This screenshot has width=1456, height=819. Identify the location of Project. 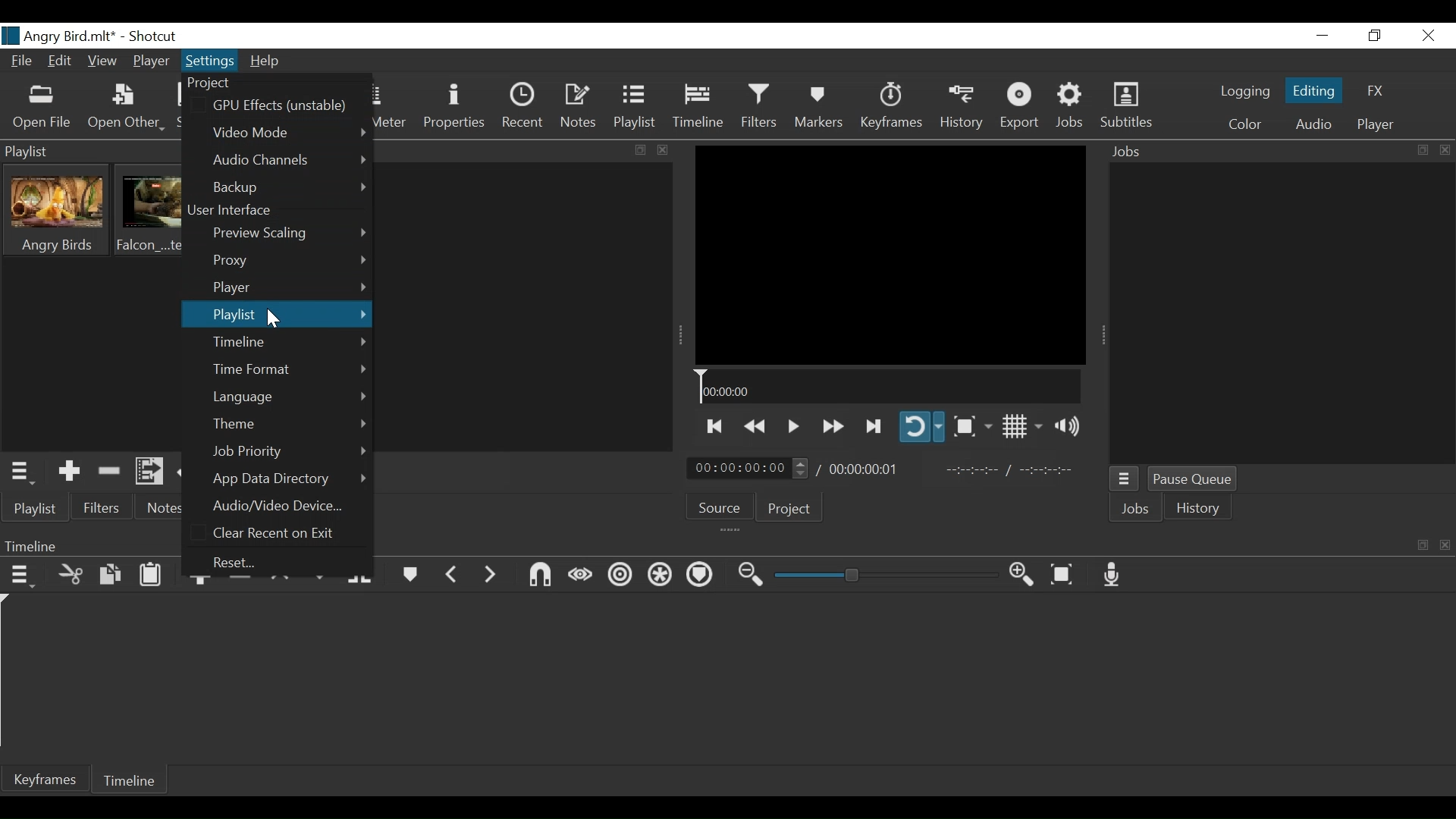
(227, 83).